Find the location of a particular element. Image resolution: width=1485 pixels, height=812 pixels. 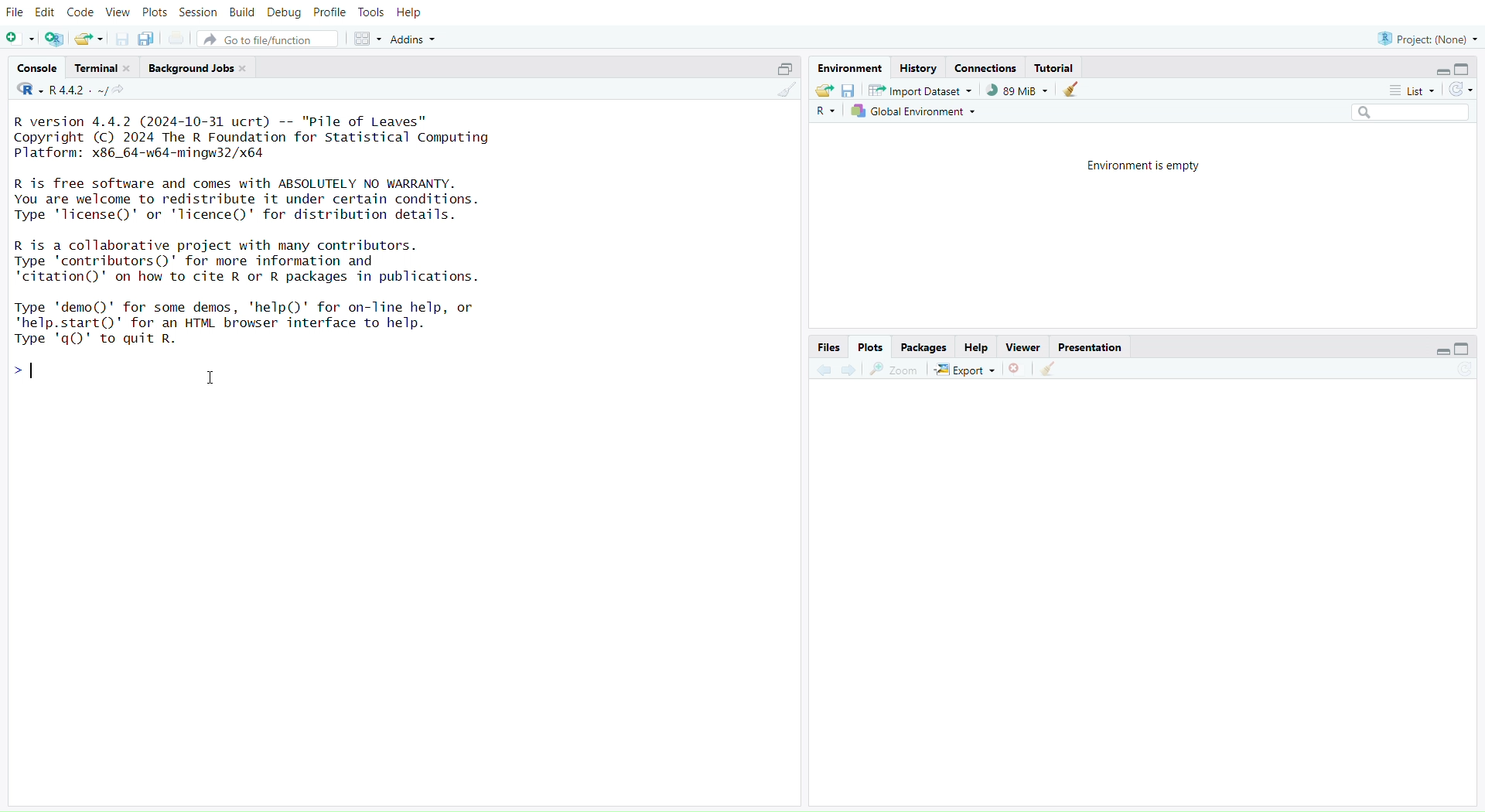

Text cursor is located at coordinates (213, 377).